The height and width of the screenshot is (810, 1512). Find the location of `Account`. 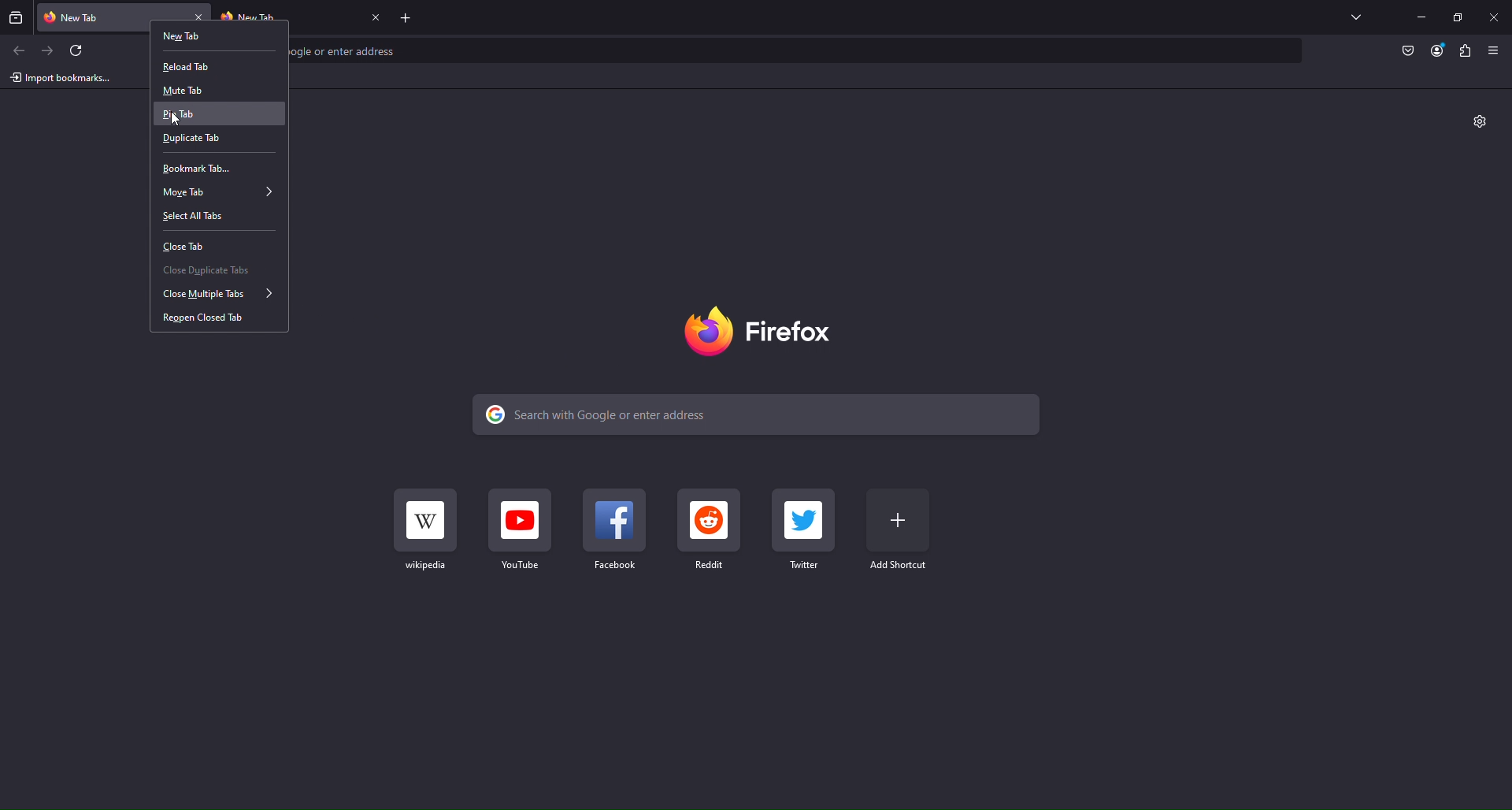

Account is located at coordinates (1438, 51).